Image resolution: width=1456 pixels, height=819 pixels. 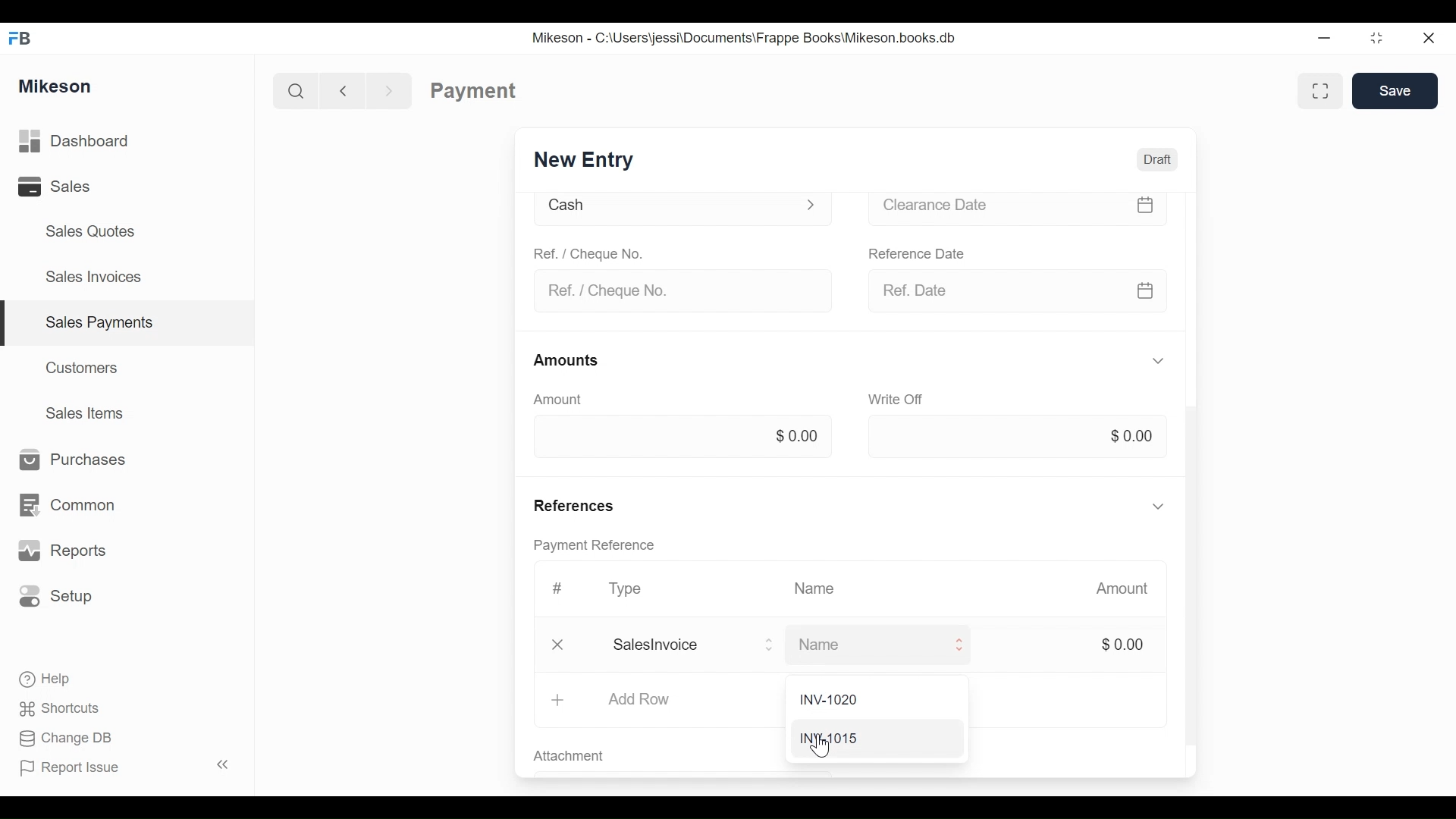 What do you see at coordinates (1398, 92) in the screenshot?
I see `Save` at bounding box center [1398, 92].